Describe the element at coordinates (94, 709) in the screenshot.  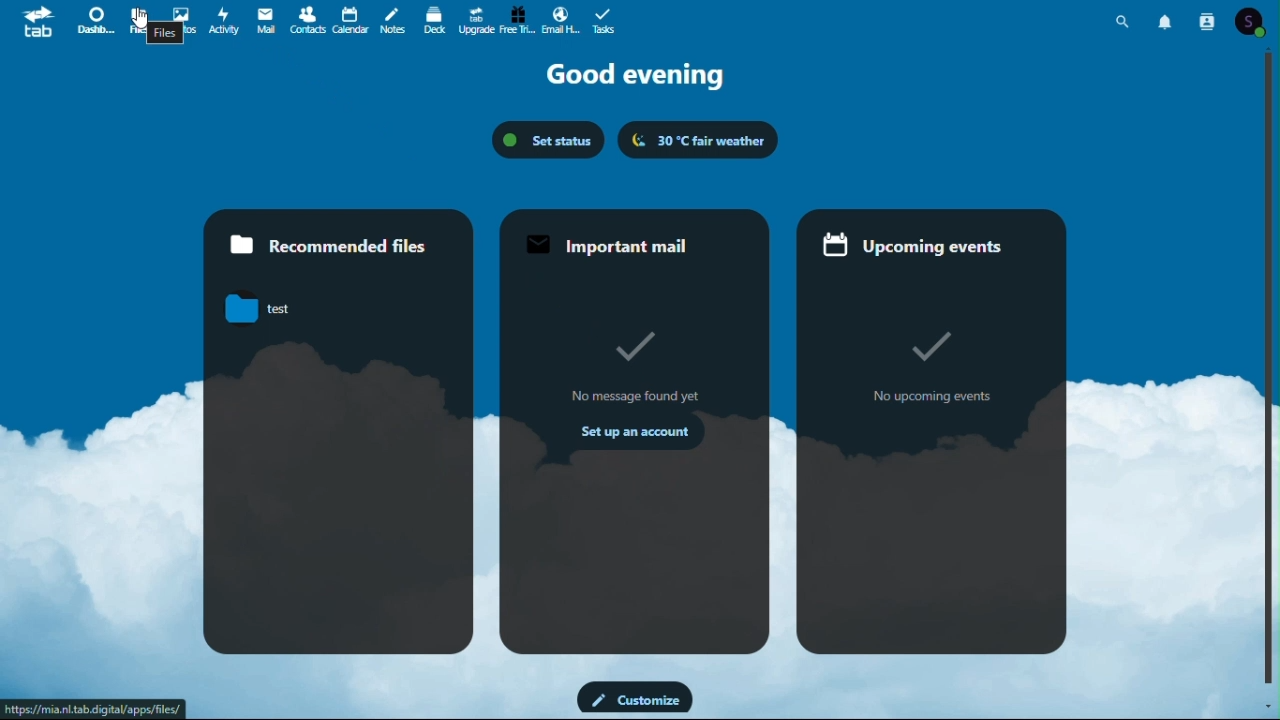
I see `URL` at that location.